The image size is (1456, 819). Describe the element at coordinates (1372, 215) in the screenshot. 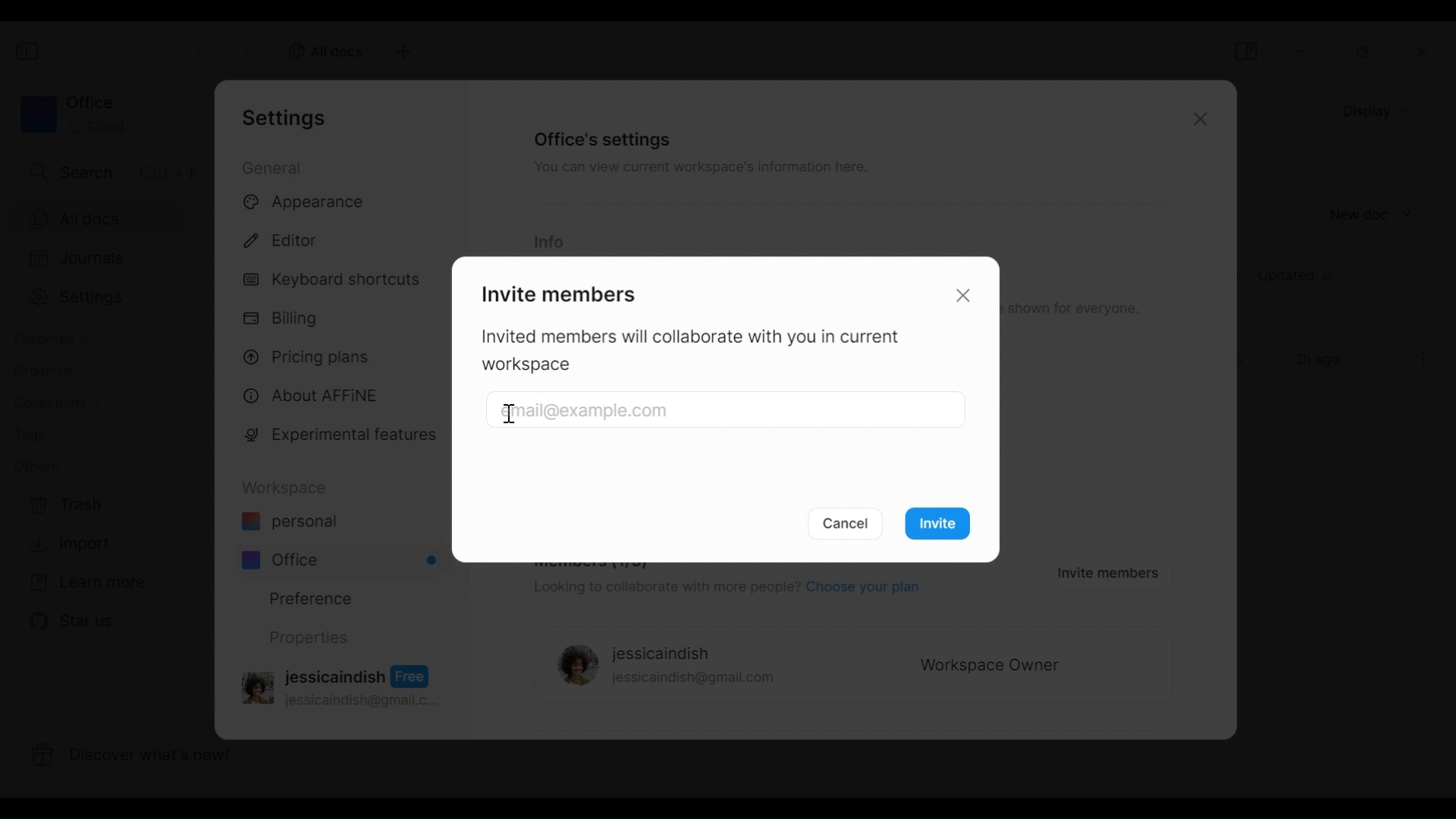

I see `New document` at that location.